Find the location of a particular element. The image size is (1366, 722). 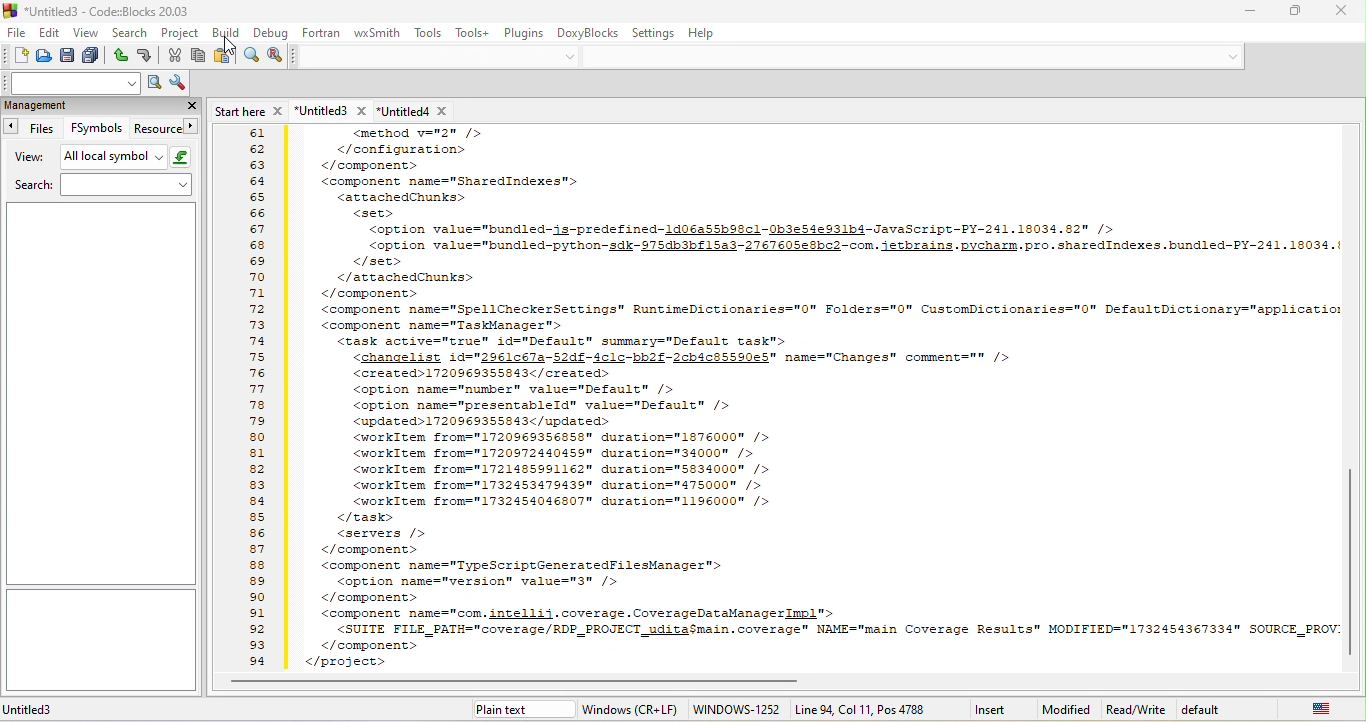

vertical scroll bar is located at coordinates (1353, 557).